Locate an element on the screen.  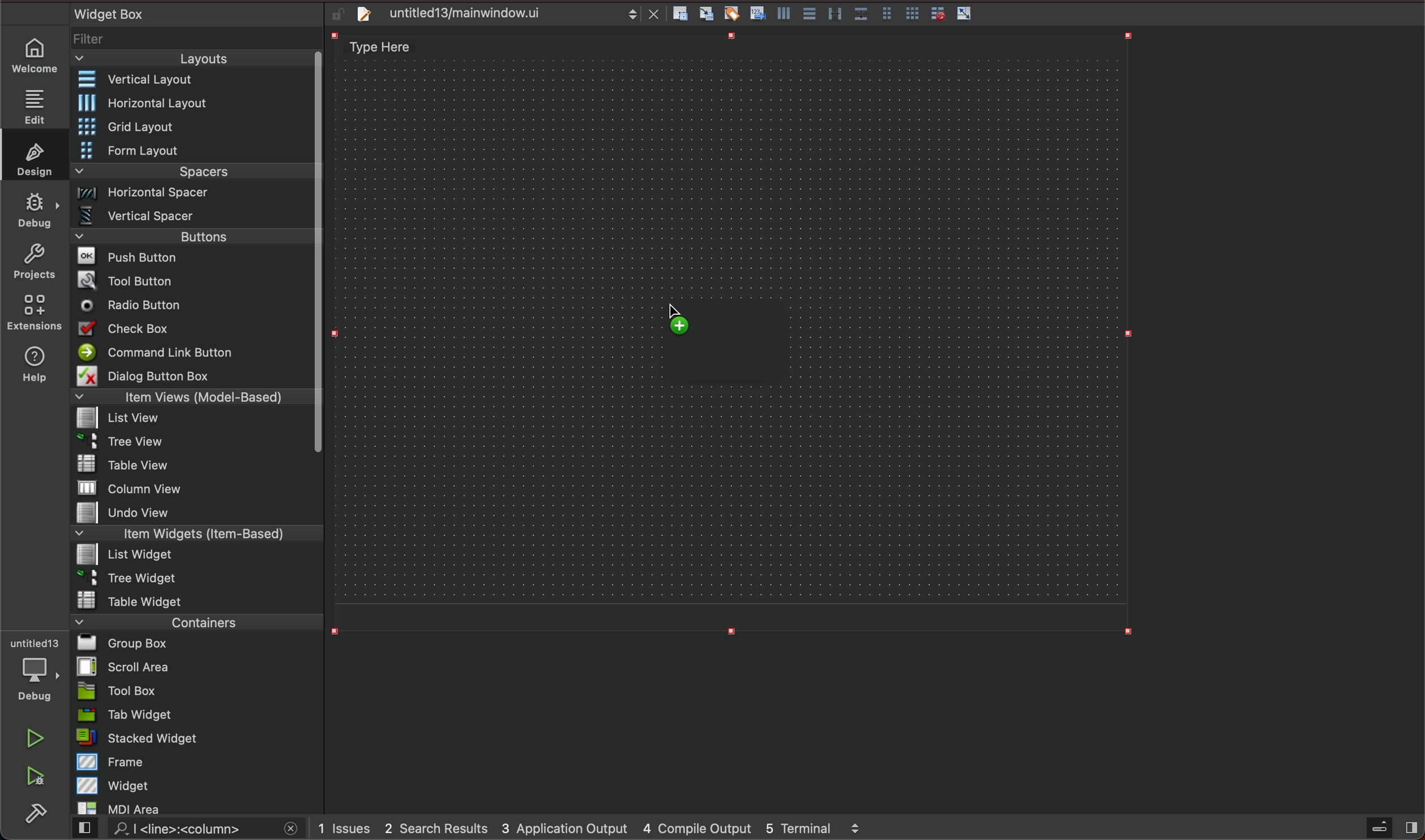
list widget is located at coordinates (193, 556).